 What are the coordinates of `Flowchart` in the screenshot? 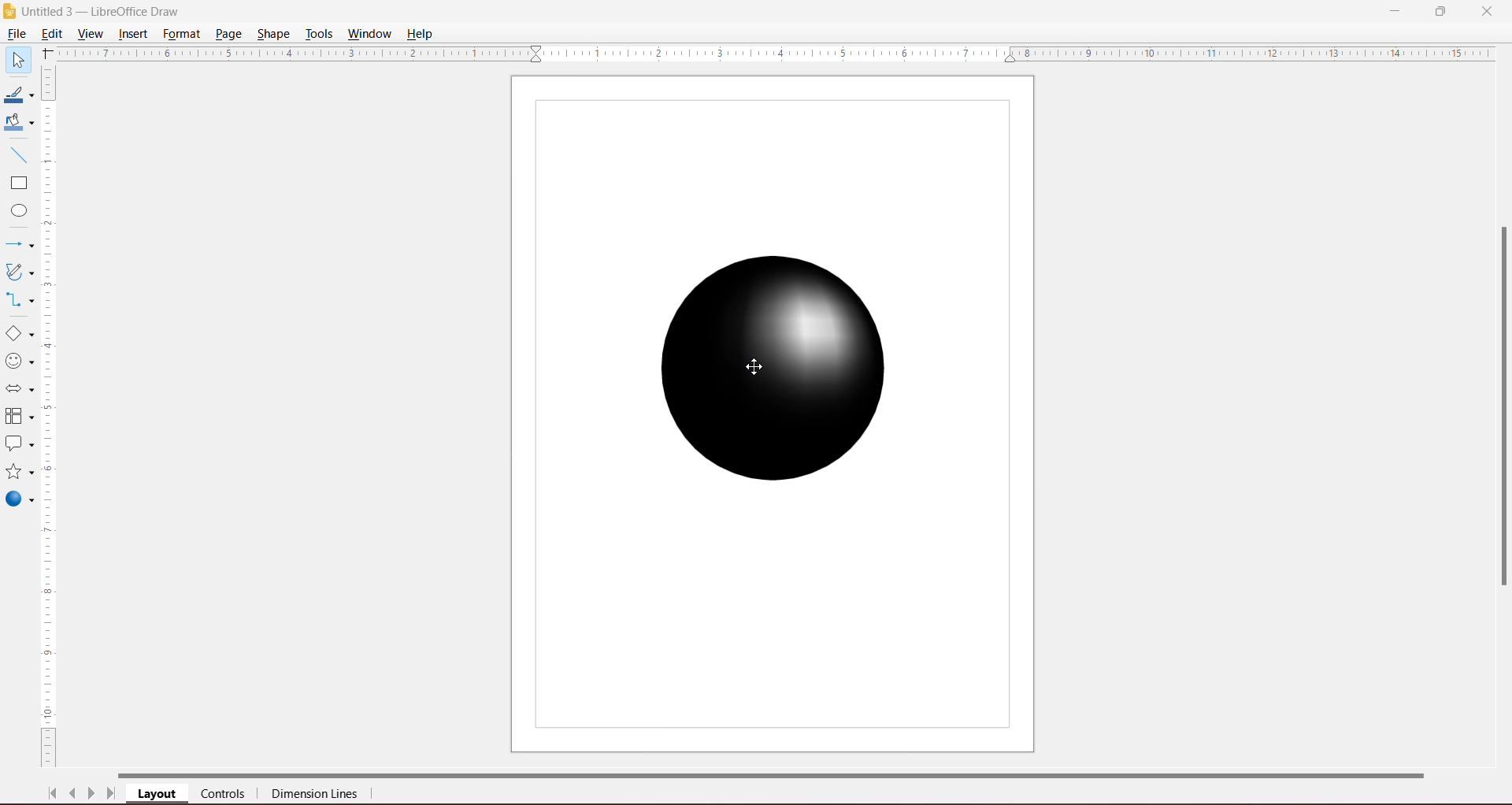 It's located at (19, 417).